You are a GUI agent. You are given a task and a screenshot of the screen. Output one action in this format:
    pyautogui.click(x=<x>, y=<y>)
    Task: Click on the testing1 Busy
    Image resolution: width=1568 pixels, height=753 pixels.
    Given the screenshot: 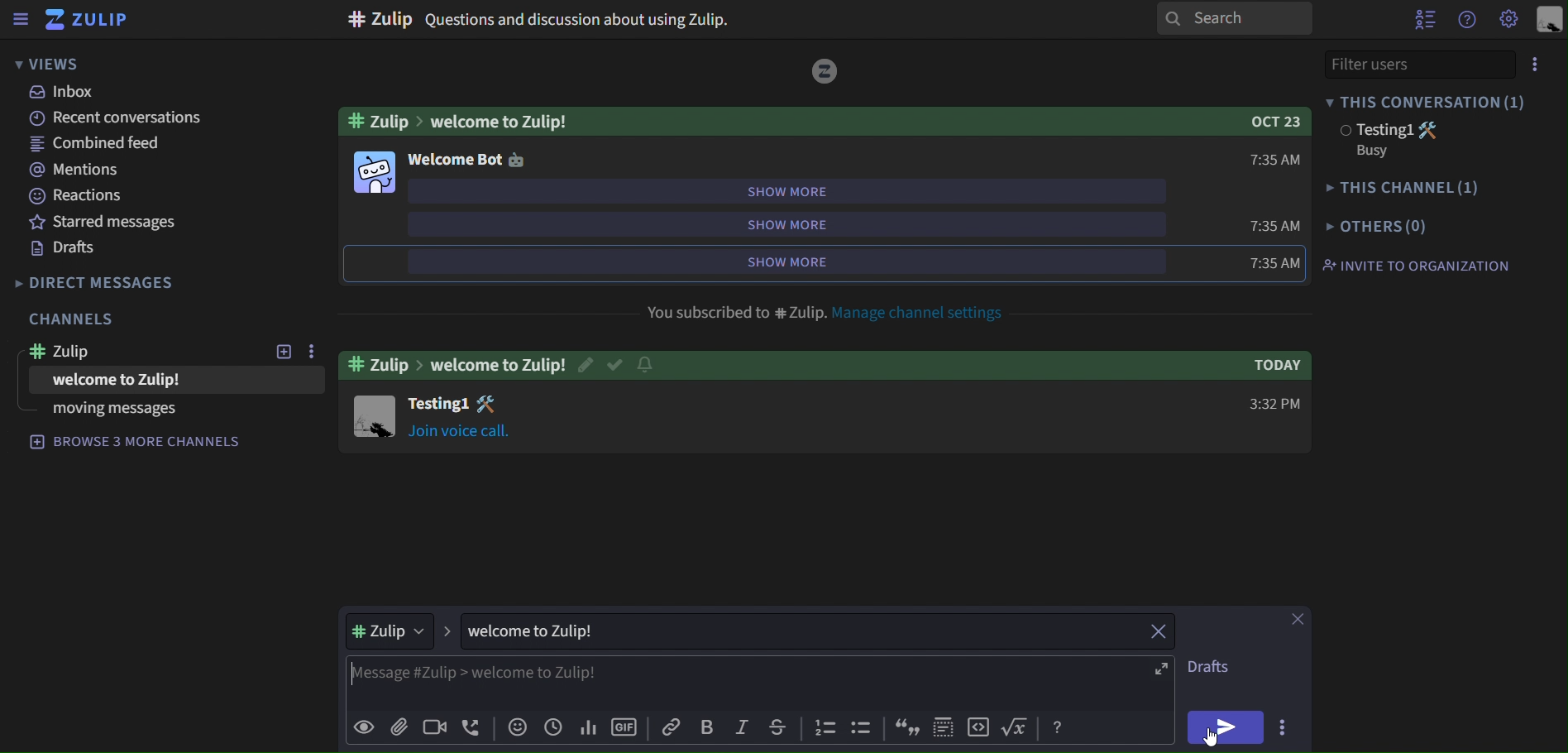 What is the action you would take?
    pyautogui.click(x=1413, y=141)
    